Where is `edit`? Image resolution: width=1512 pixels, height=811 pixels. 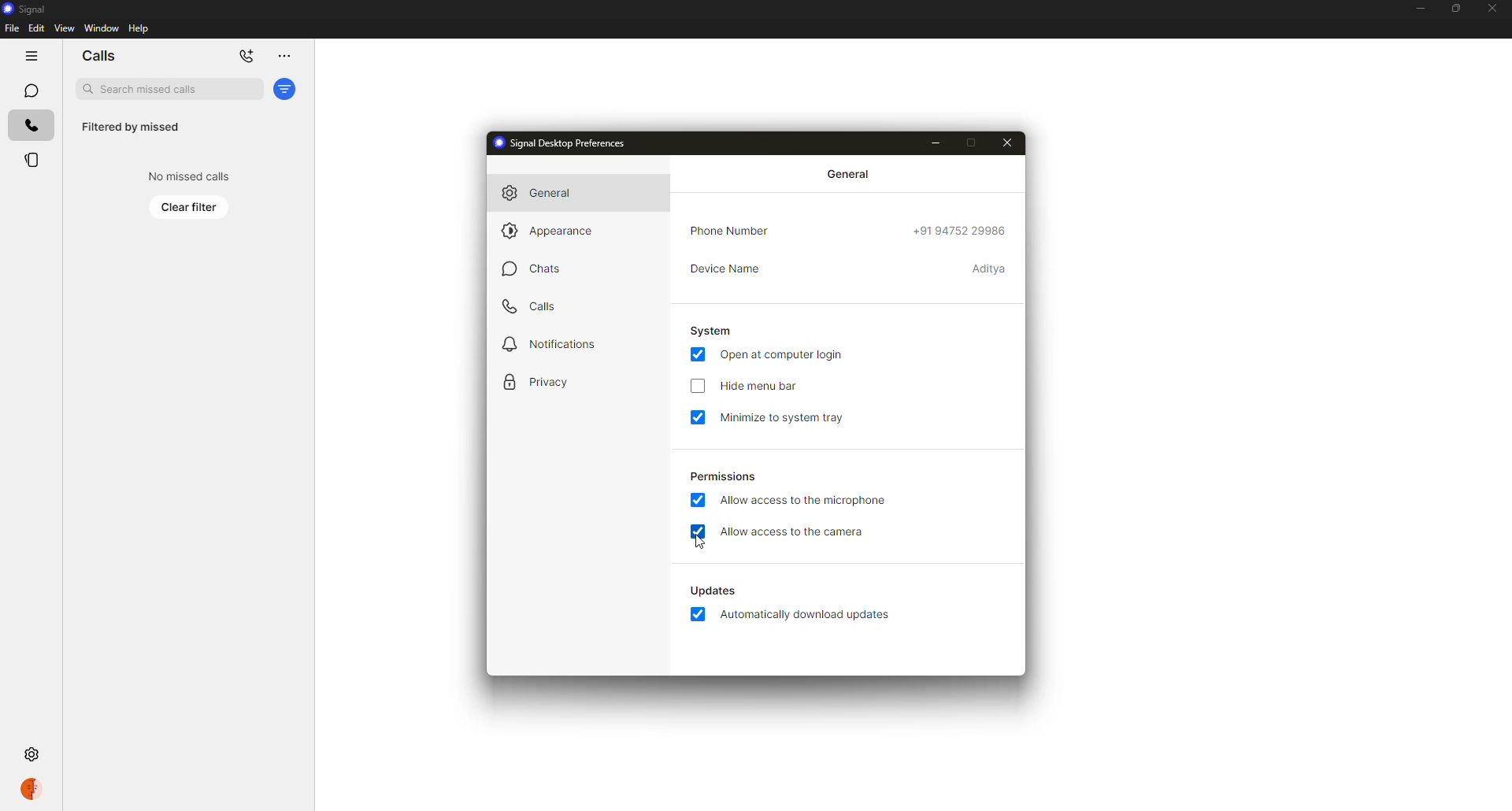
edit is located at coordinates (36, 28).